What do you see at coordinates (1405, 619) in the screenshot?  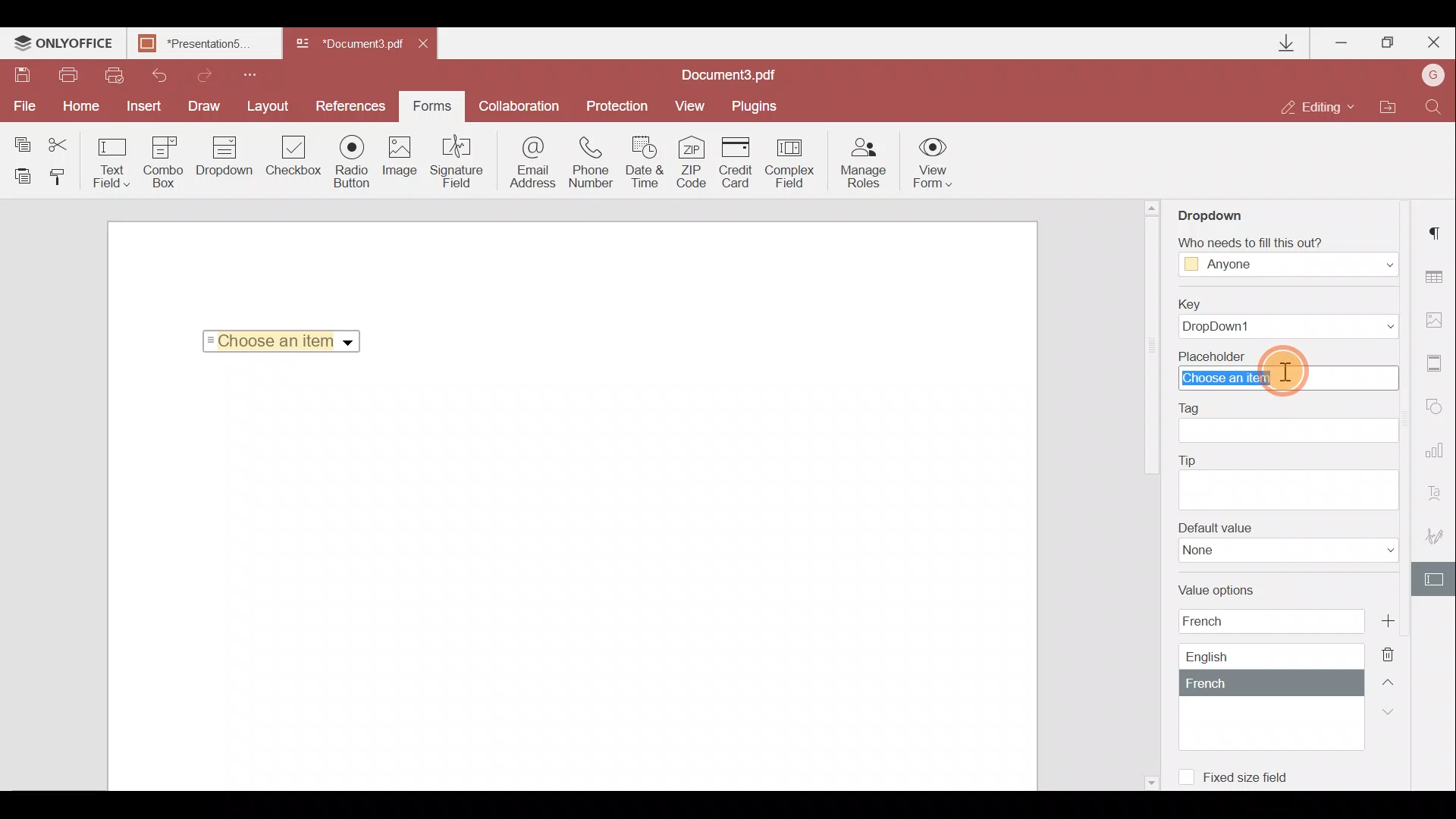 I see `Add new value` at bounding box center [1405, 619].